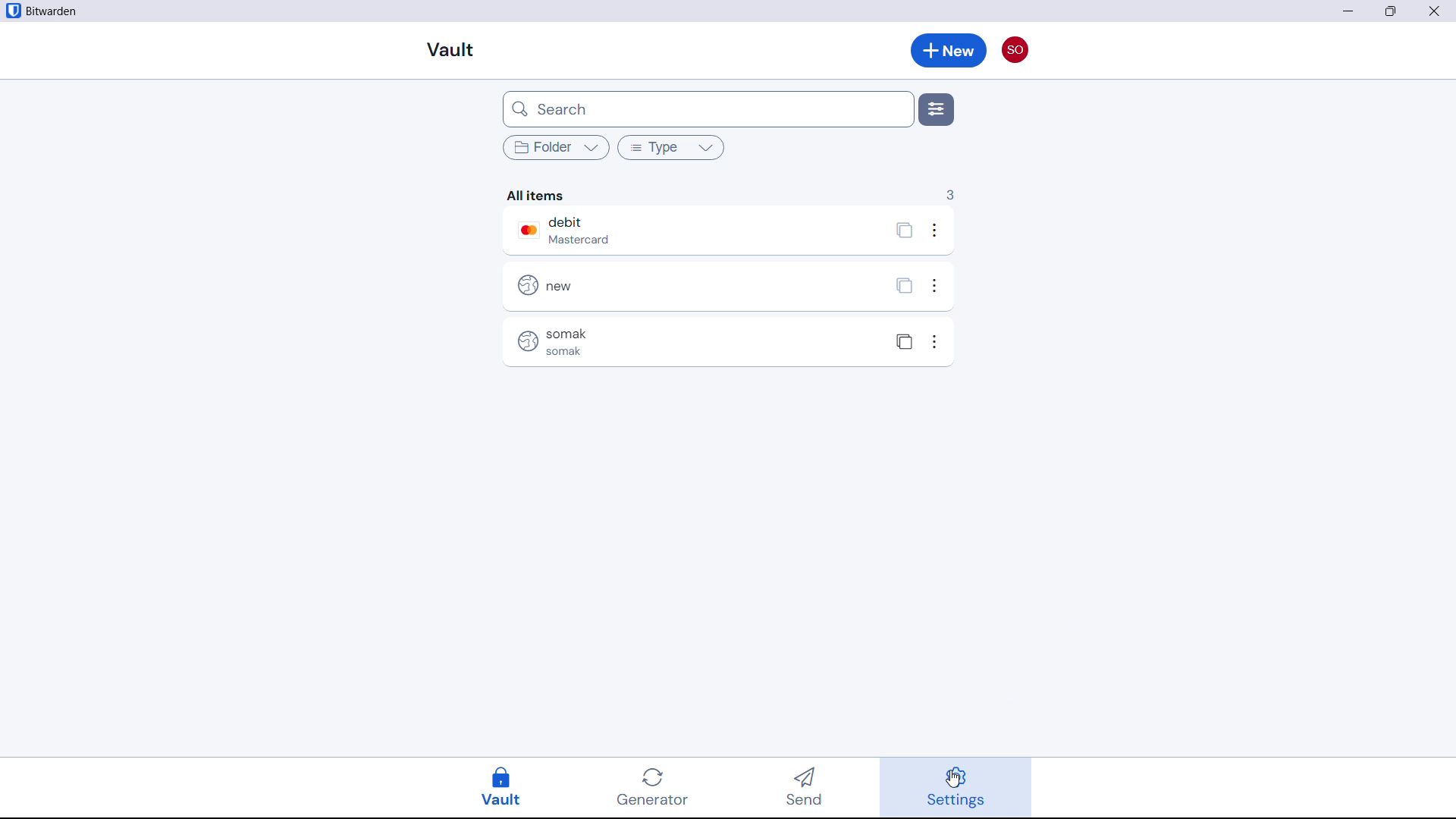 Image resolution: width=1456 pixels, height=819 pixels. Describe the element at coordinates (1347, 11) in the screenshot. I see `minimise ` at that location.